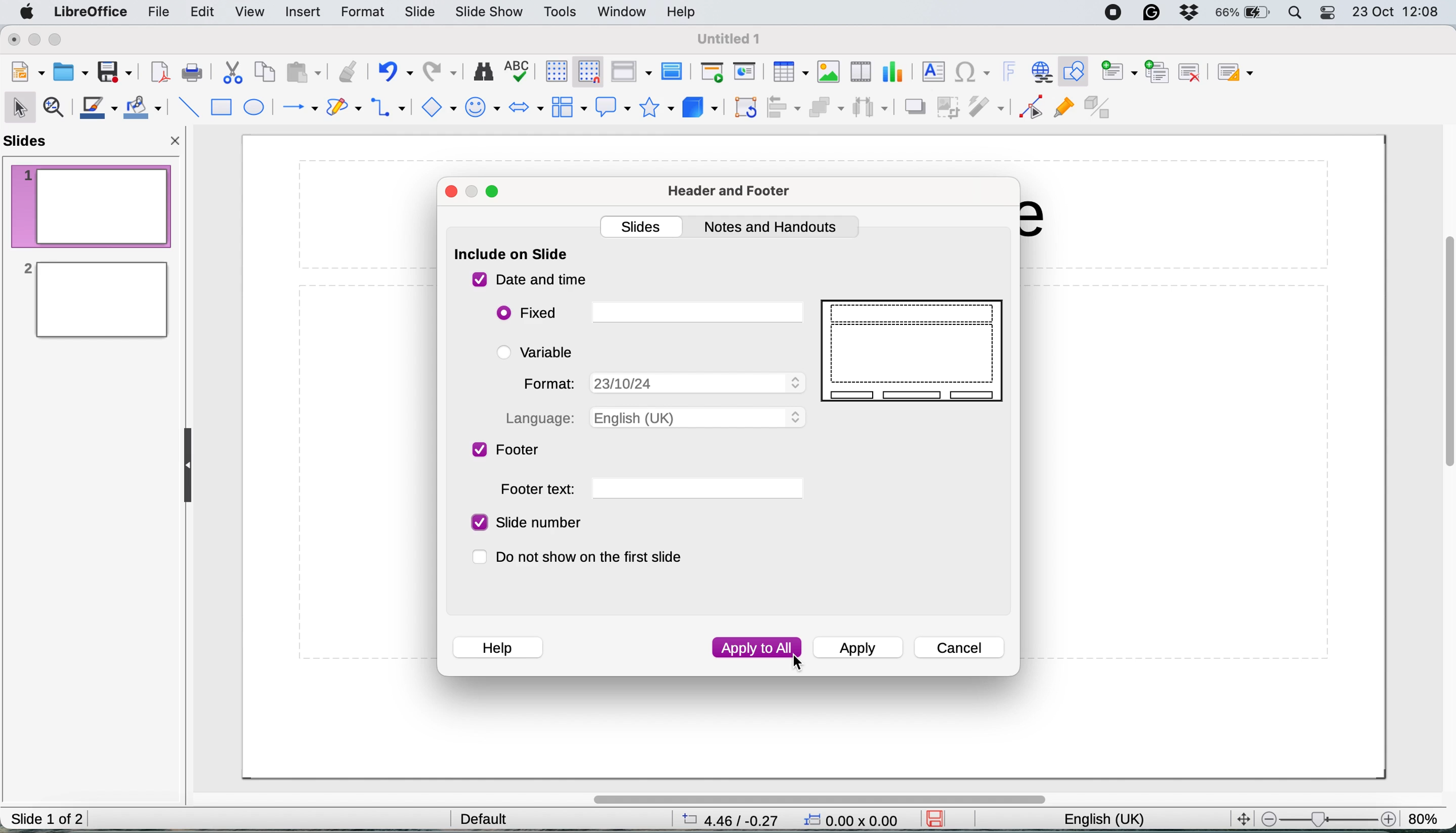 The height and width of the screenshot is (833, 1456). What do you see at coordinates (1240, 73) in the screenshot?
I see `slide layout` at bounding box center [1240, 73].